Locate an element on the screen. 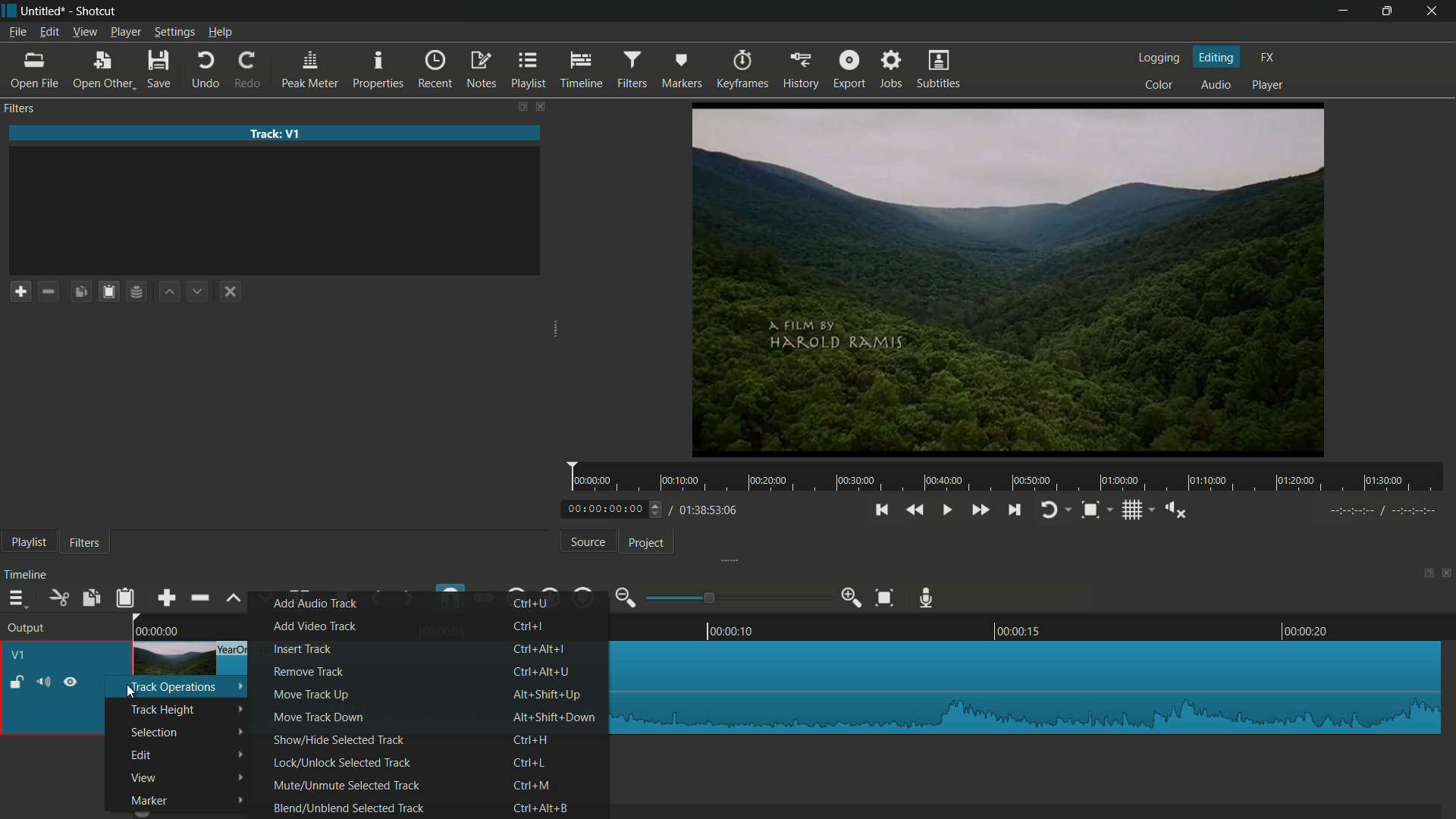 The width and height of the screenshot is (1456, 819). mute is located at coordinates (42, 682).